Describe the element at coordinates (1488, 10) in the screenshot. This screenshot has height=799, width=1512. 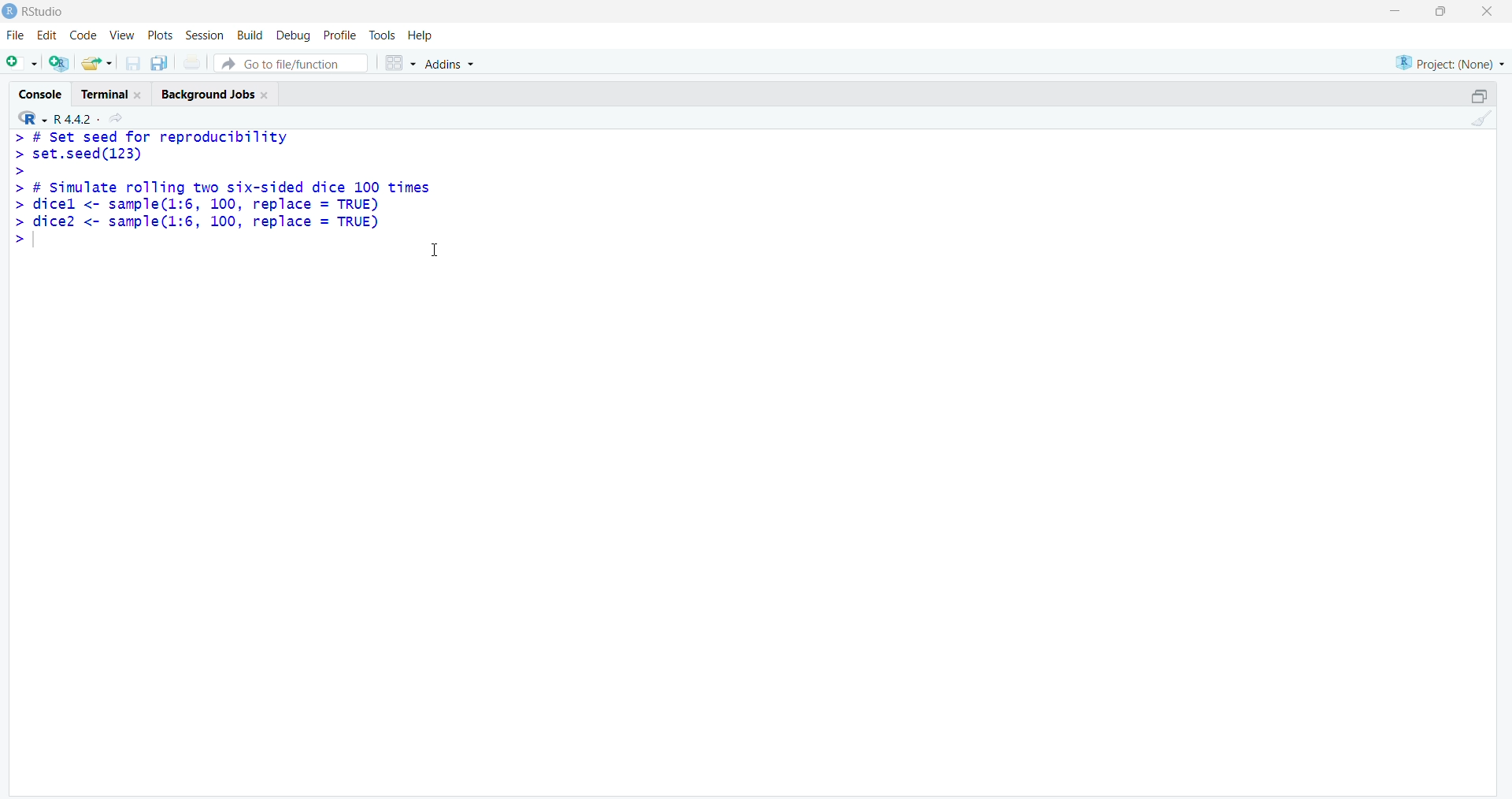
I see `close` at that location.